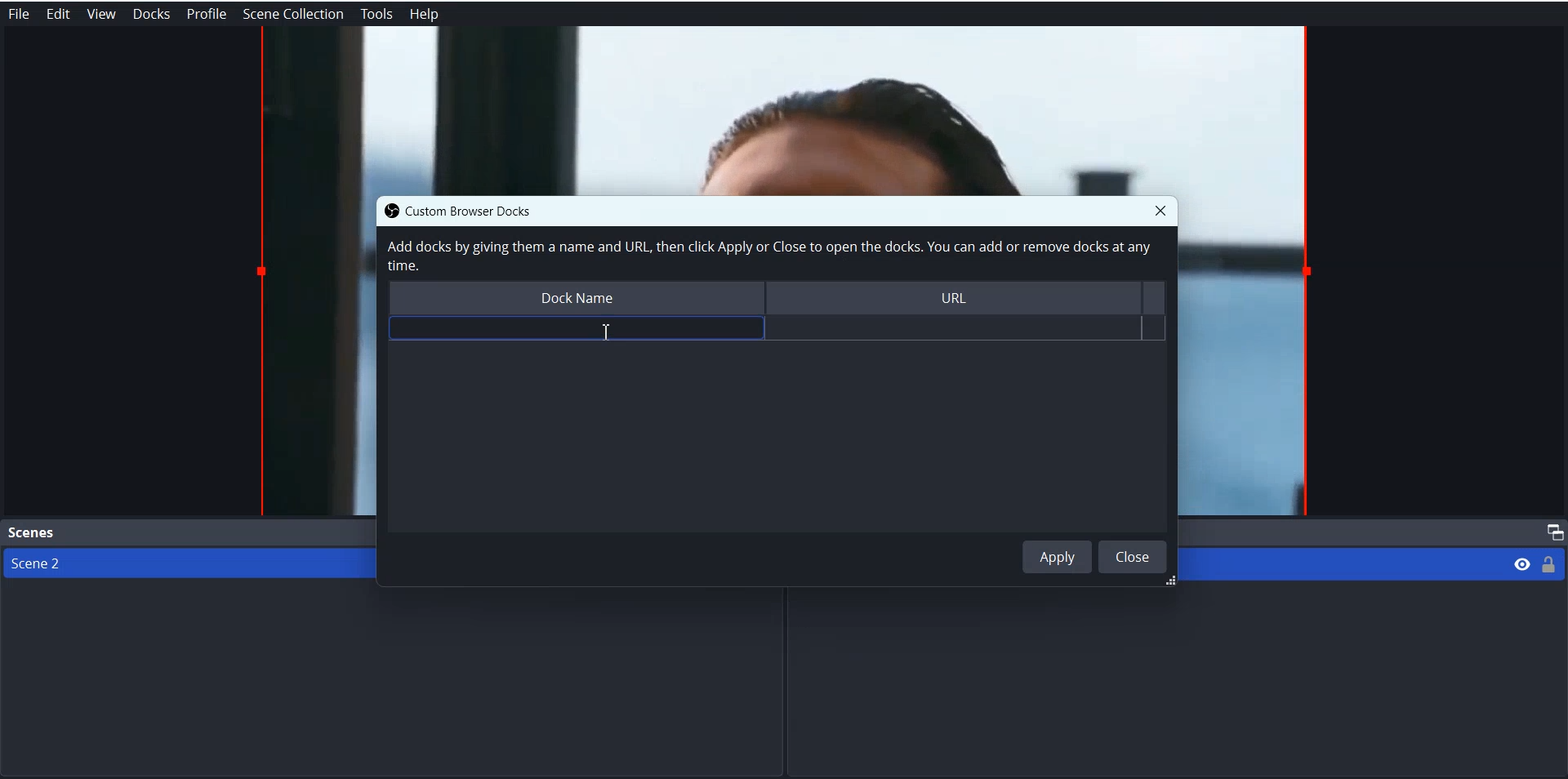 This screenshot has height=779, width=1568. I want to click on resize, so click(1167, 582).